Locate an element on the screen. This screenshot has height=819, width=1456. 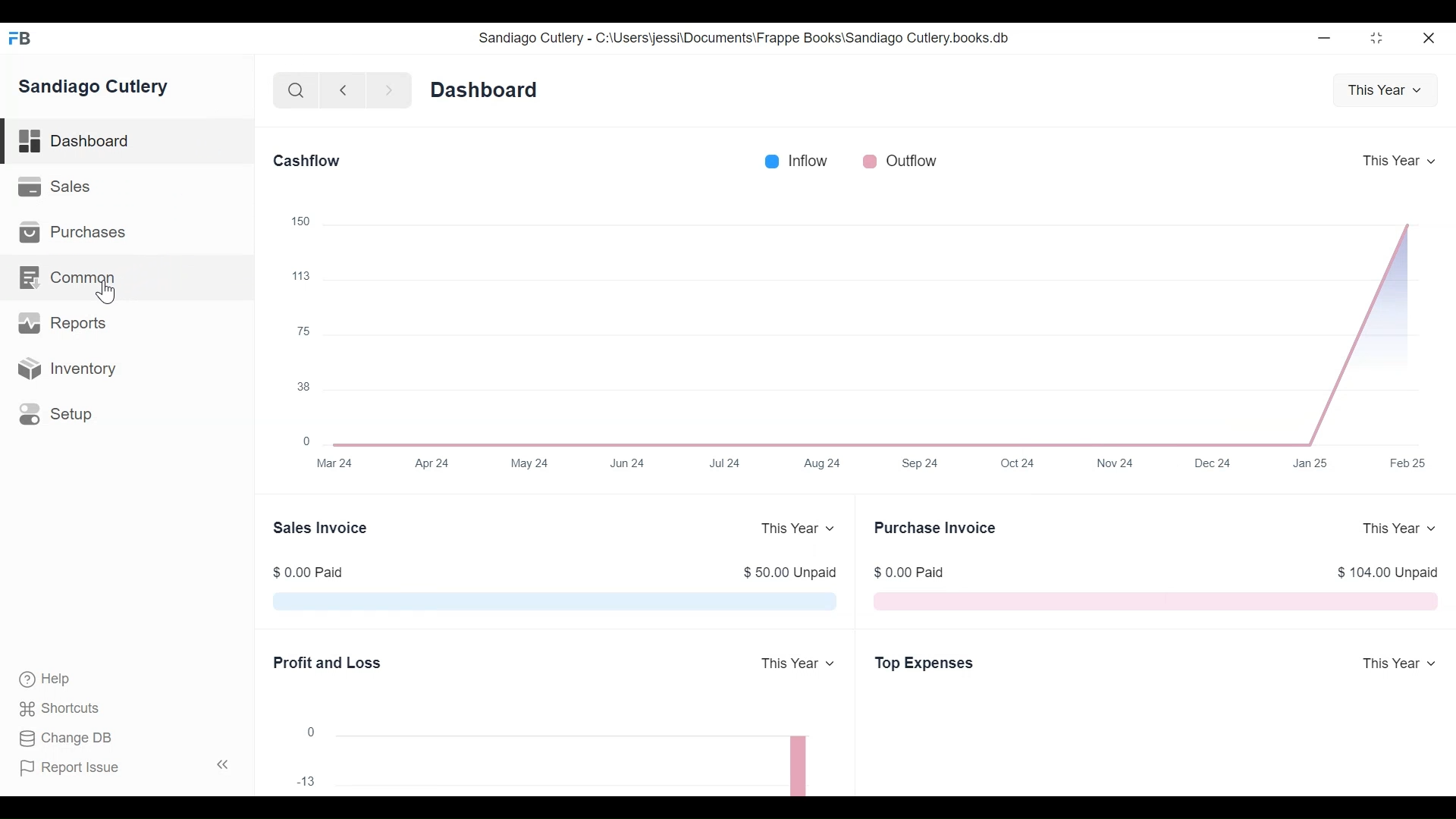
Purchase Invoice is located at coordinates (938, 529).